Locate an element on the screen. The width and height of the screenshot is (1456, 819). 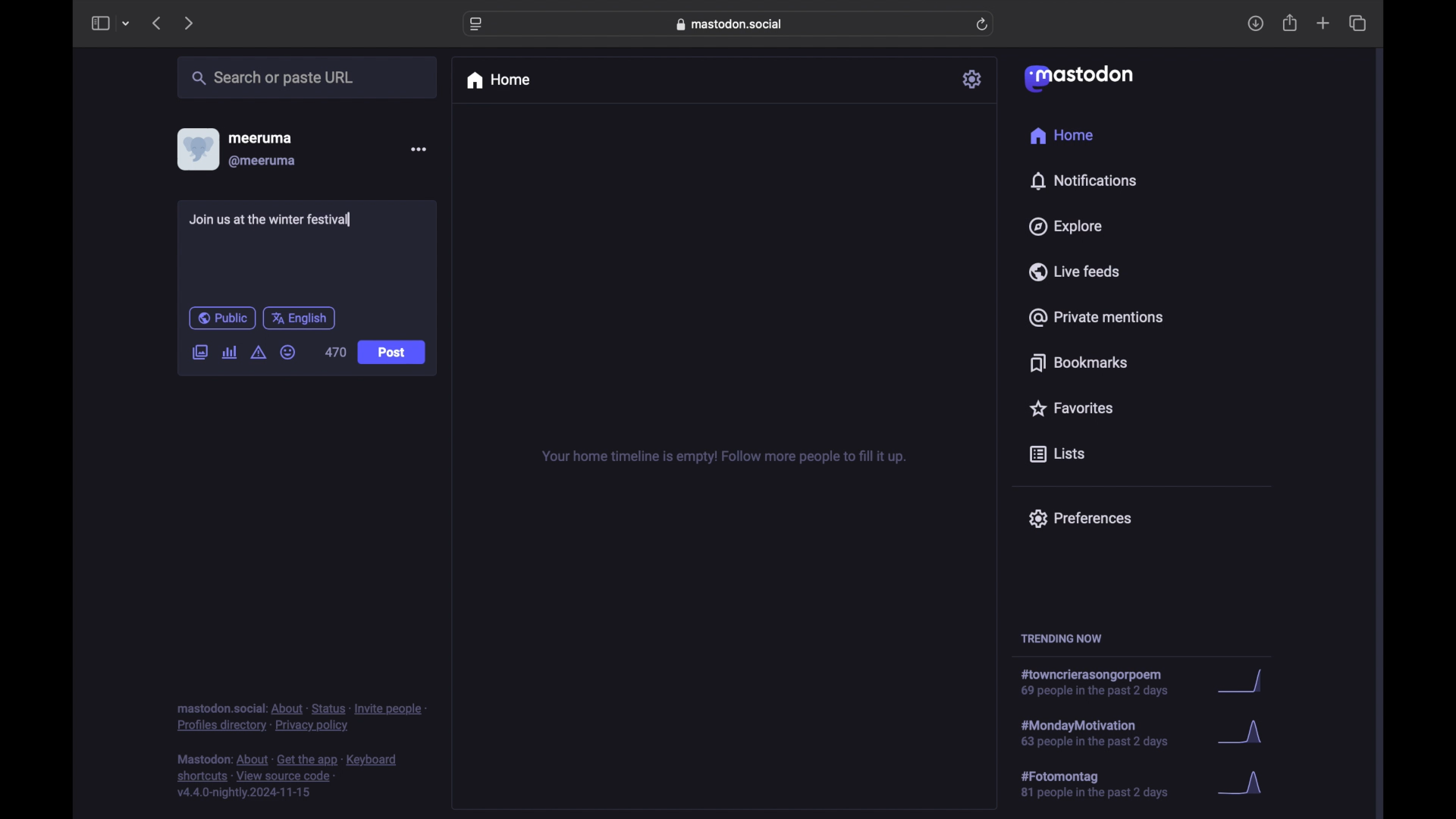
mastodon is located at coordinates (1077, 77).